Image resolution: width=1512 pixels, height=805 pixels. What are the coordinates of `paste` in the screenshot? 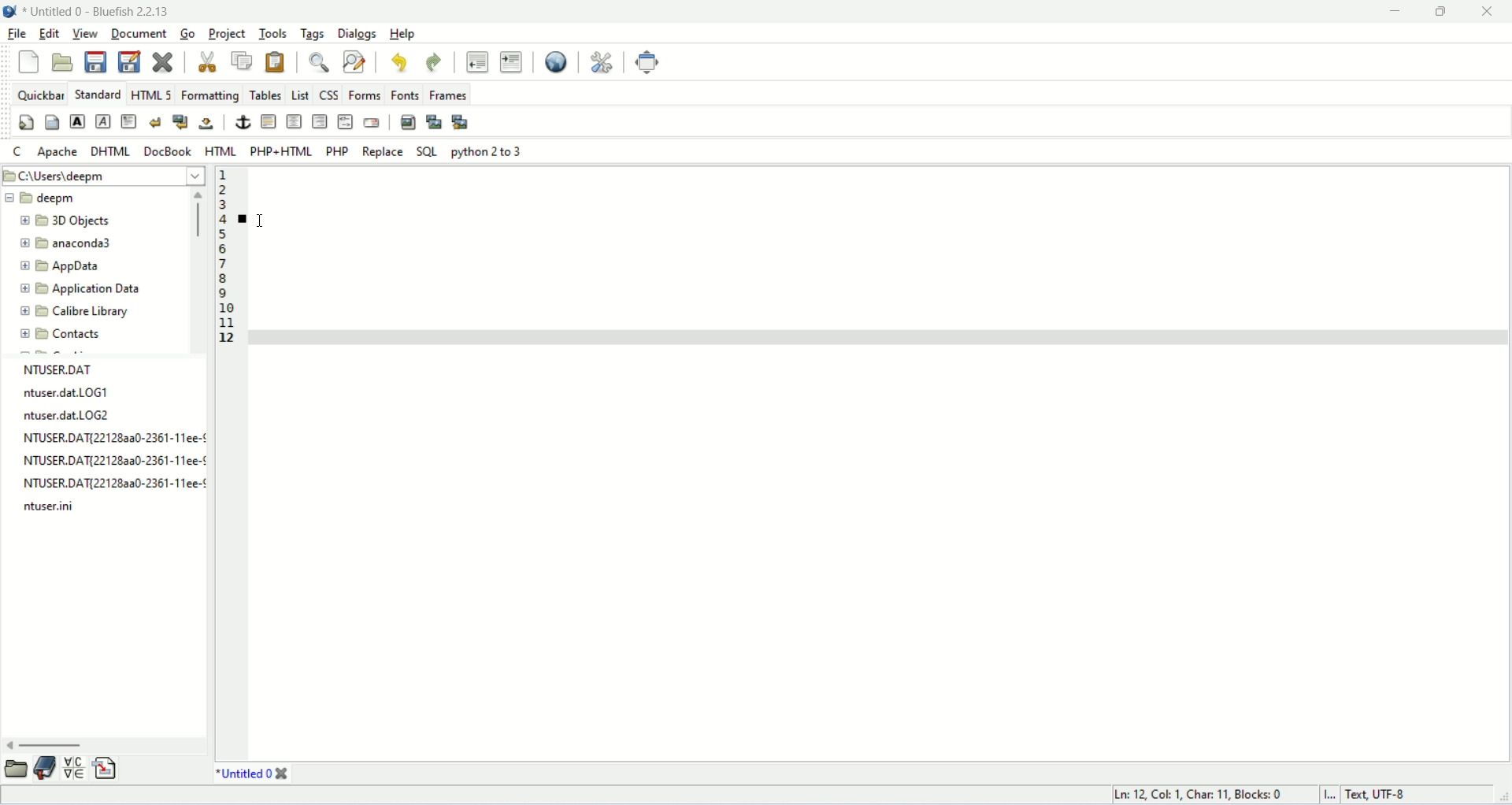 It's located at (276, 62).